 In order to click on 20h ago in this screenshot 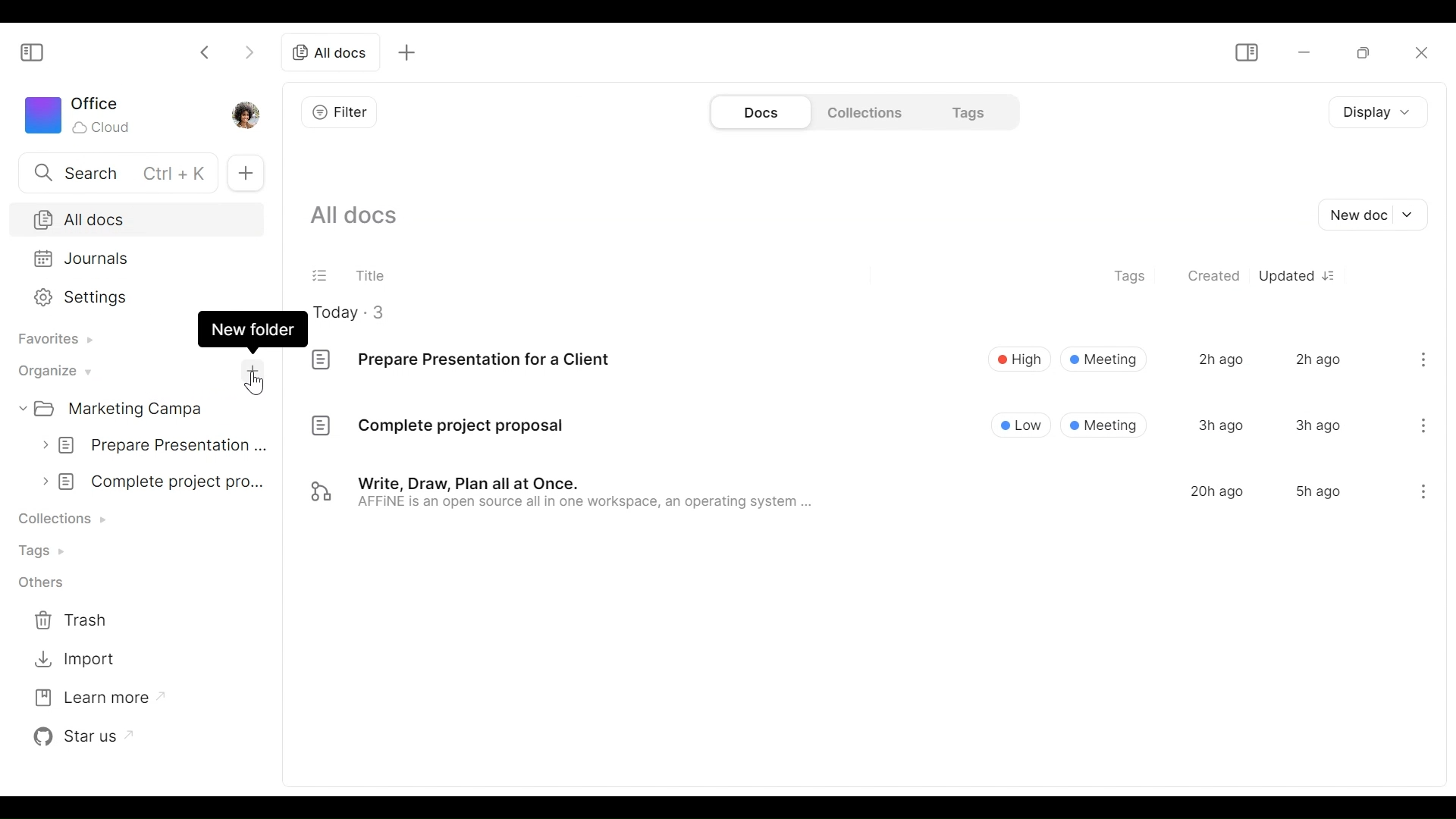, I will do `click(1217, 491)`.